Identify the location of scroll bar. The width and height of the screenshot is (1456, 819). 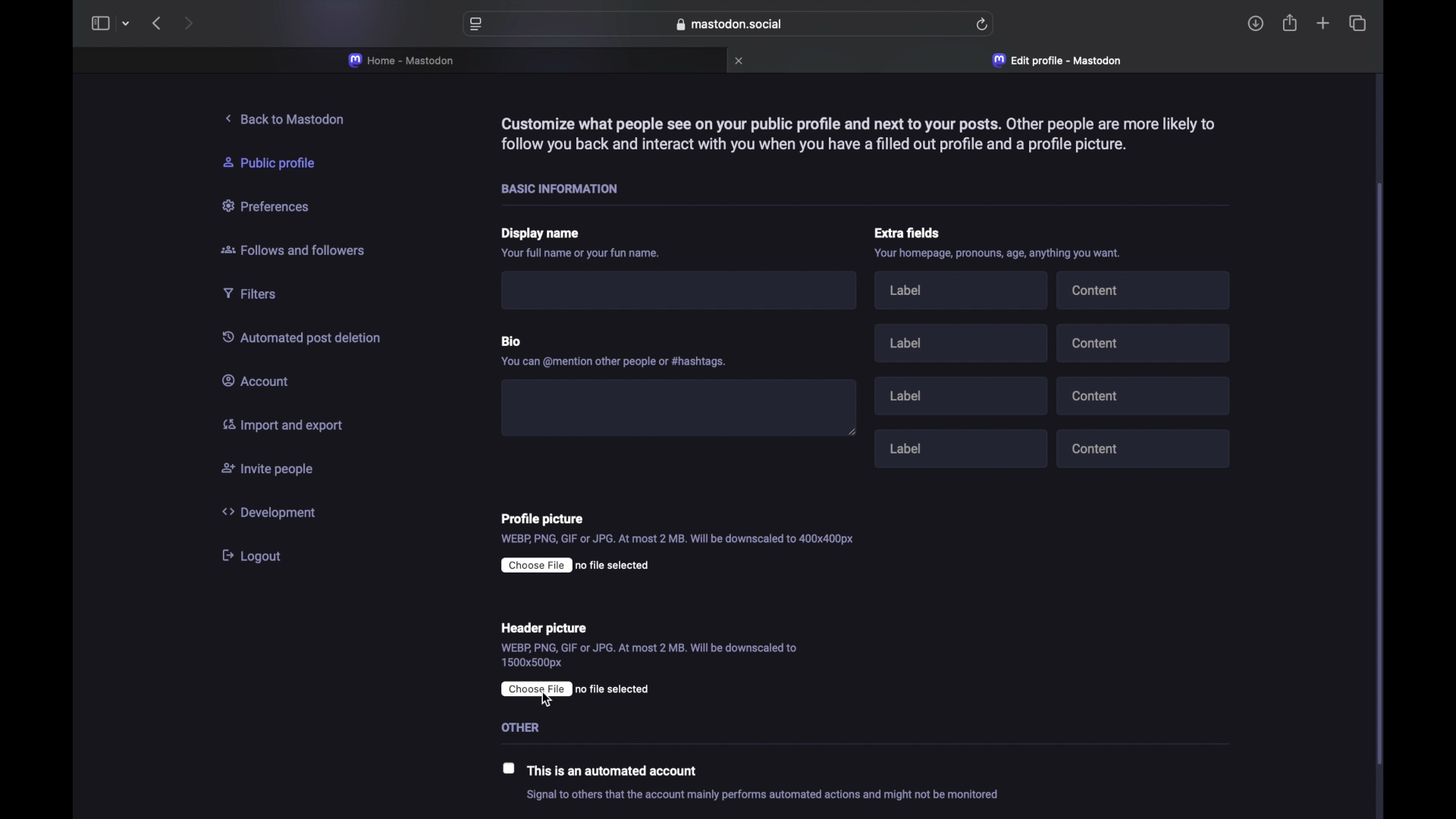
(1382, 473).